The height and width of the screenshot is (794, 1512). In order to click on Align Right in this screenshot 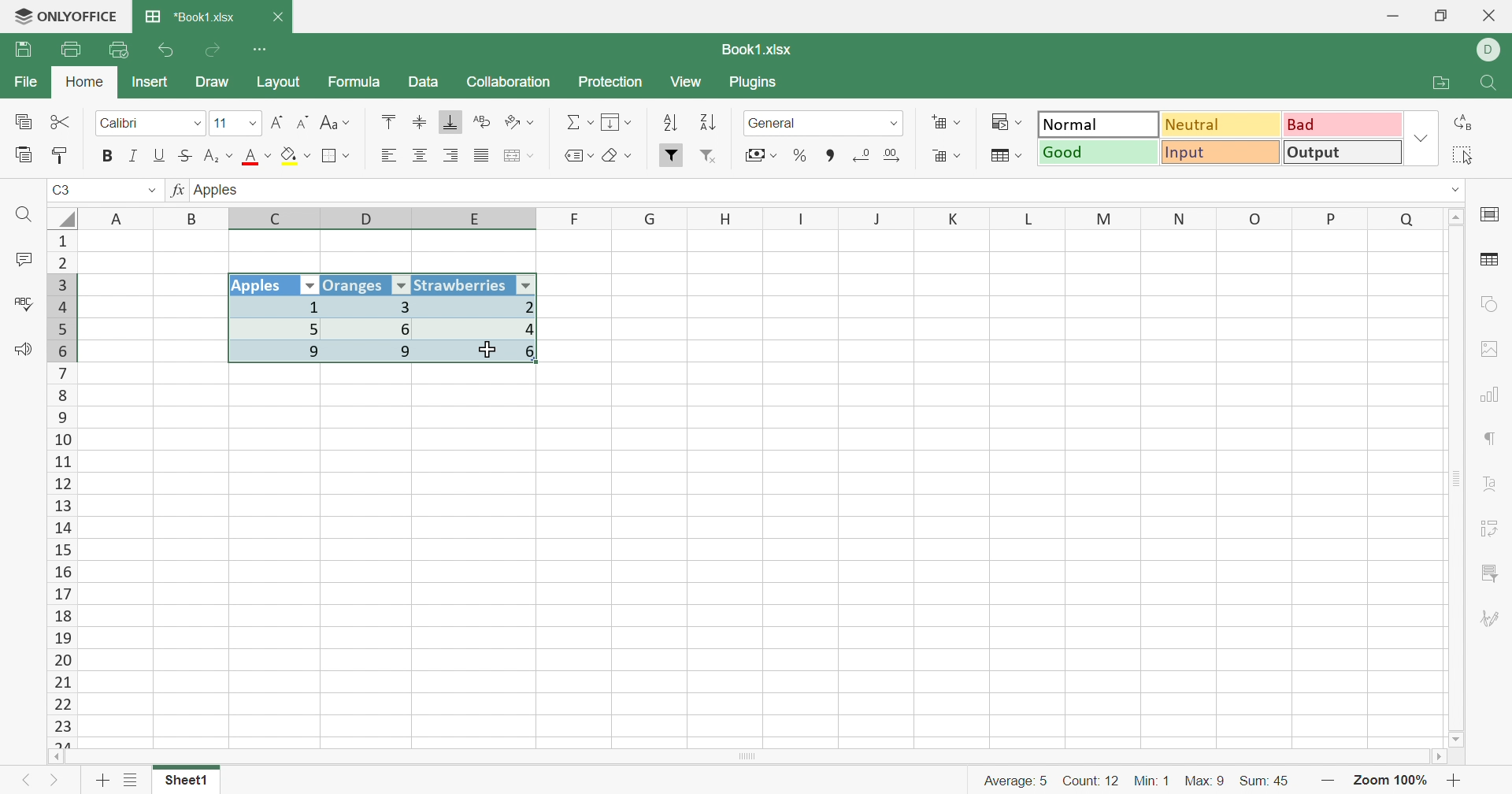, I will do `click(453, 155)`.